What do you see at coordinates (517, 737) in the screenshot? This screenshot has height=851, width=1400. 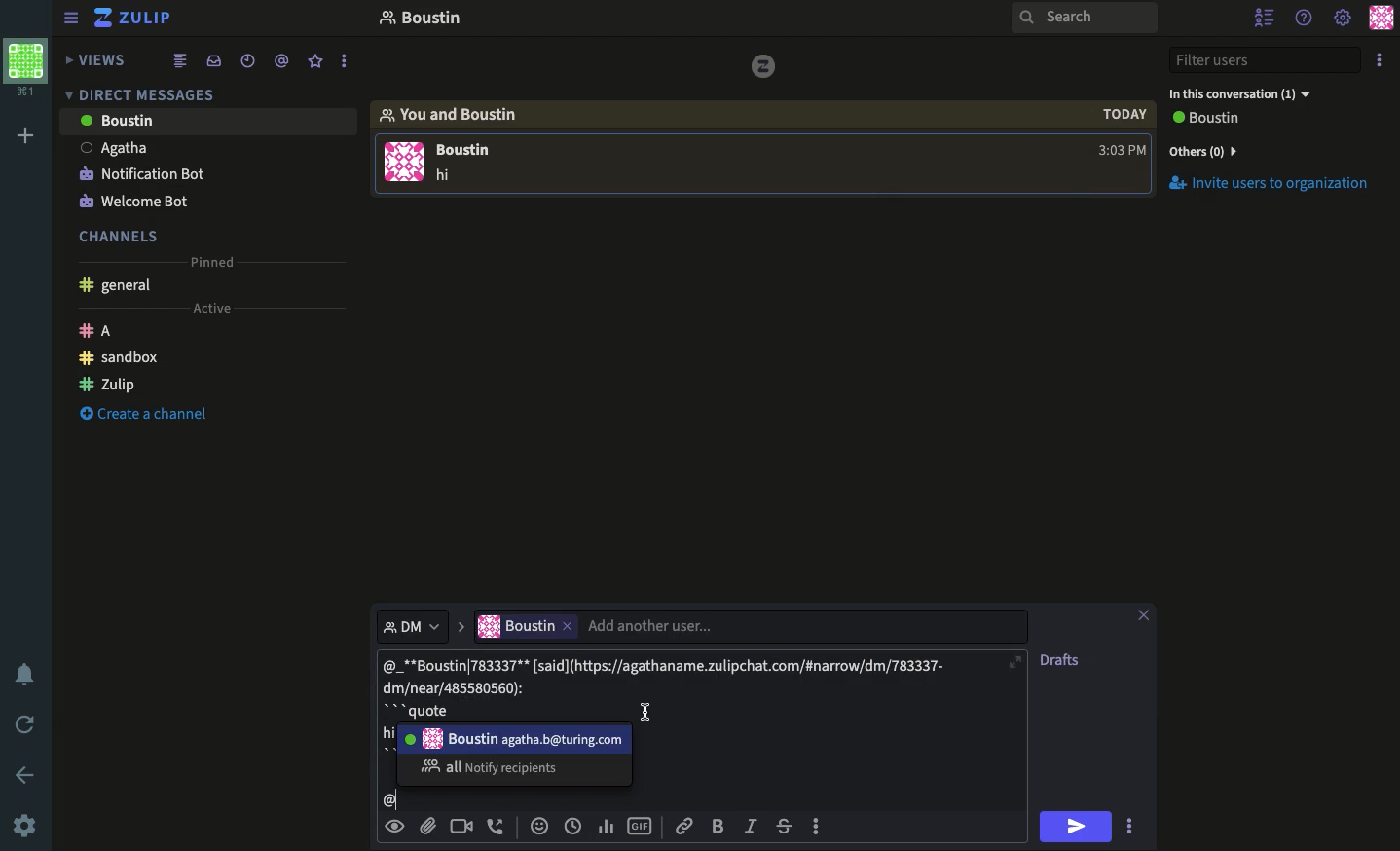 I see `User` at bounding box center [517, 737].